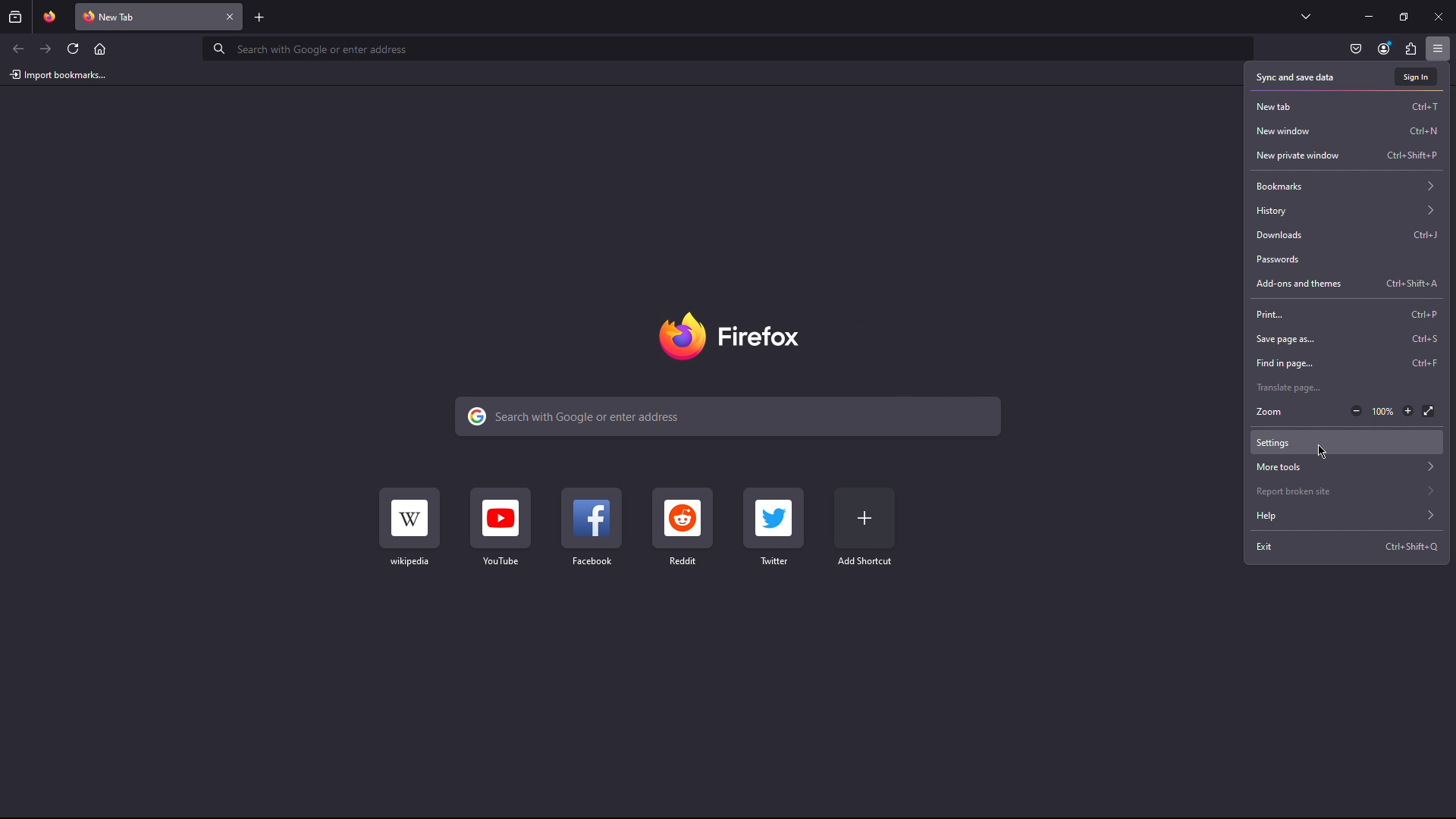 Image resolution: width=1456 pixels, height=819 pixels. What do you see at coordinates (683, 527) in the screenshot?
I see `Reddit` at bounding box center [683, 527].